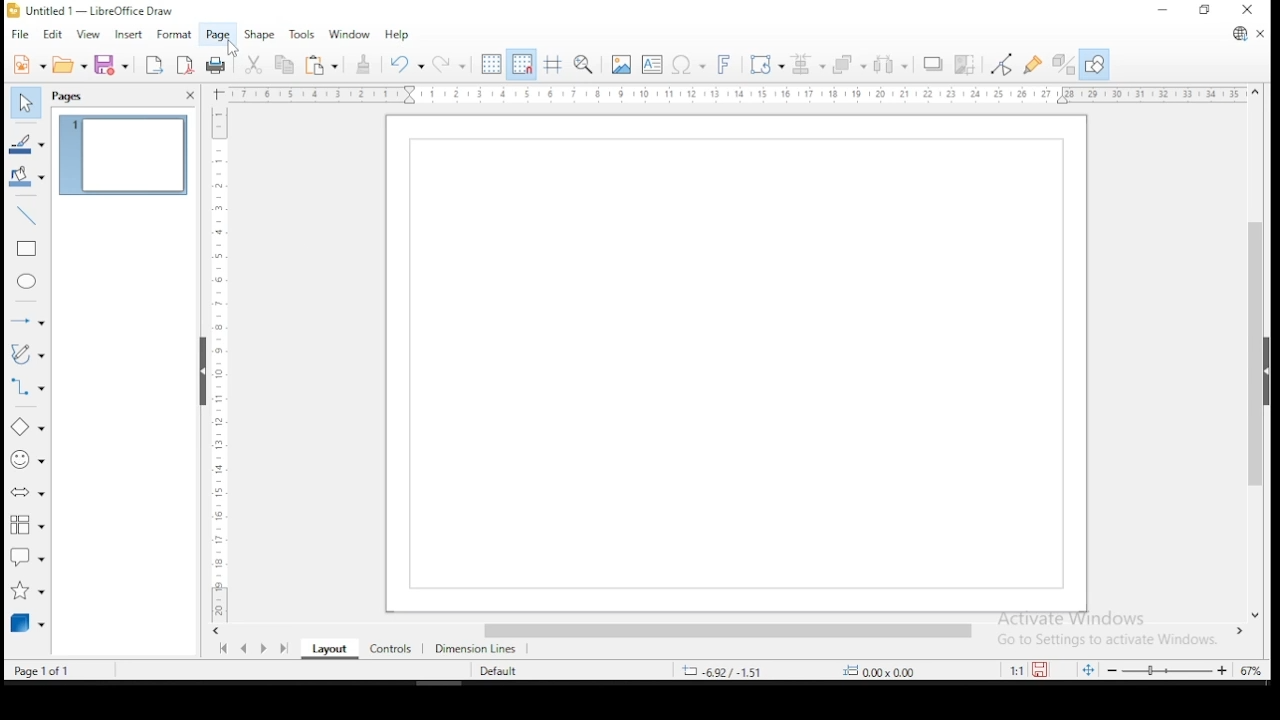  What do you see at coordinates (965, 64) in the screenshot?
I see `crop` at bounding box center [965, 64].